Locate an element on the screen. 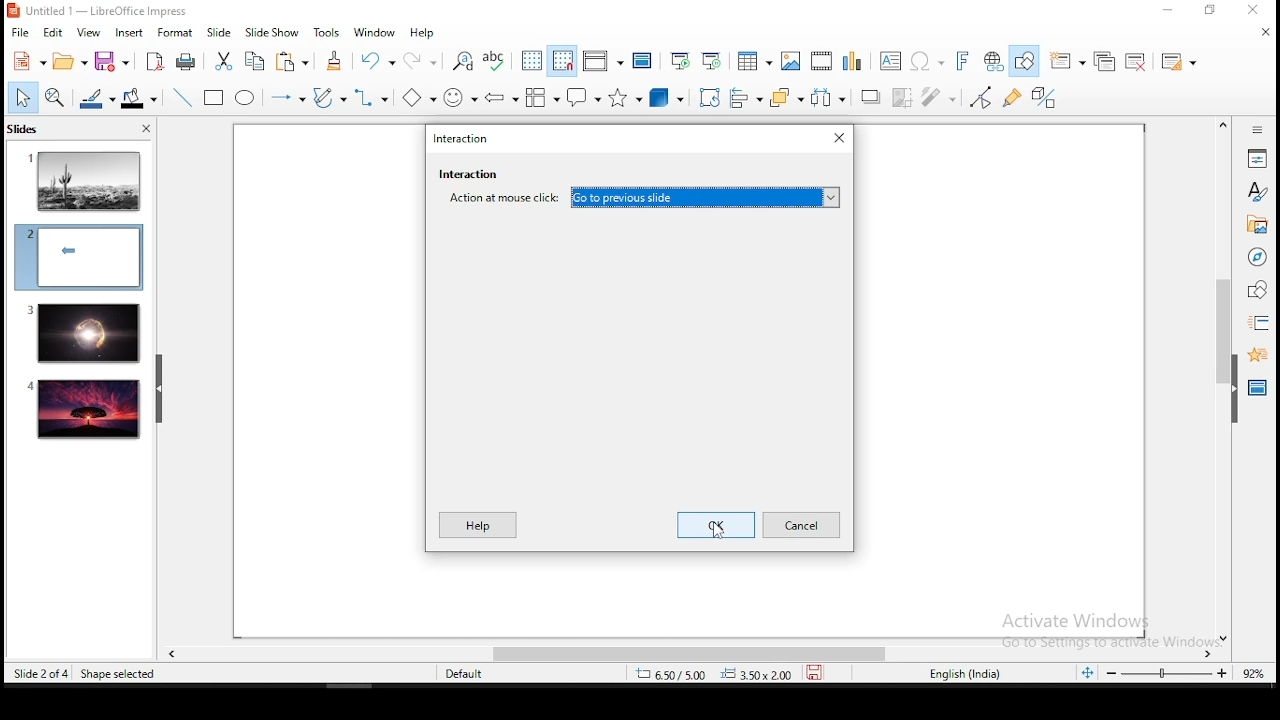 This screenshot has height=720, width=1280. duplicate slide is located at coordinates (1106, 62).